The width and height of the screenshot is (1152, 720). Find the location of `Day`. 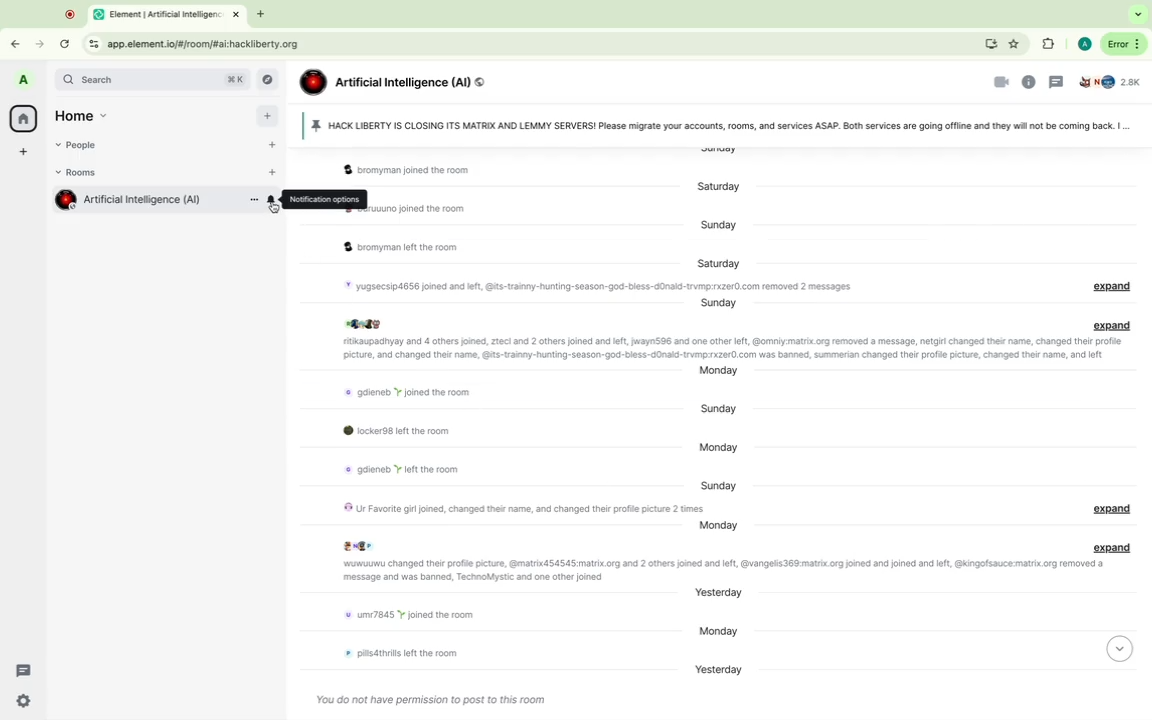

Day is located at coordinates (719, 372).